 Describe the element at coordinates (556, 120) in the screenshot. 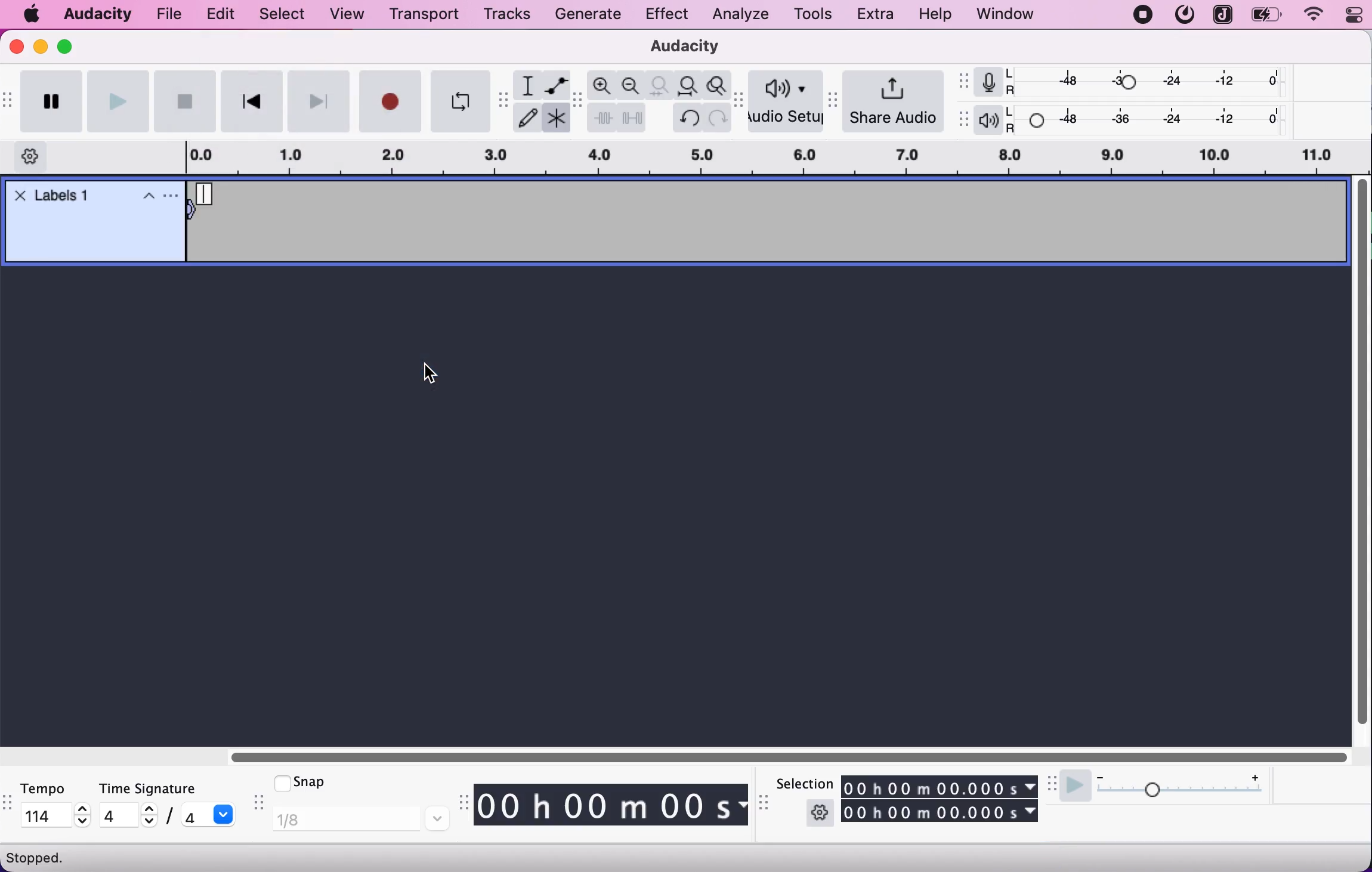

I see `multitool` at that location.